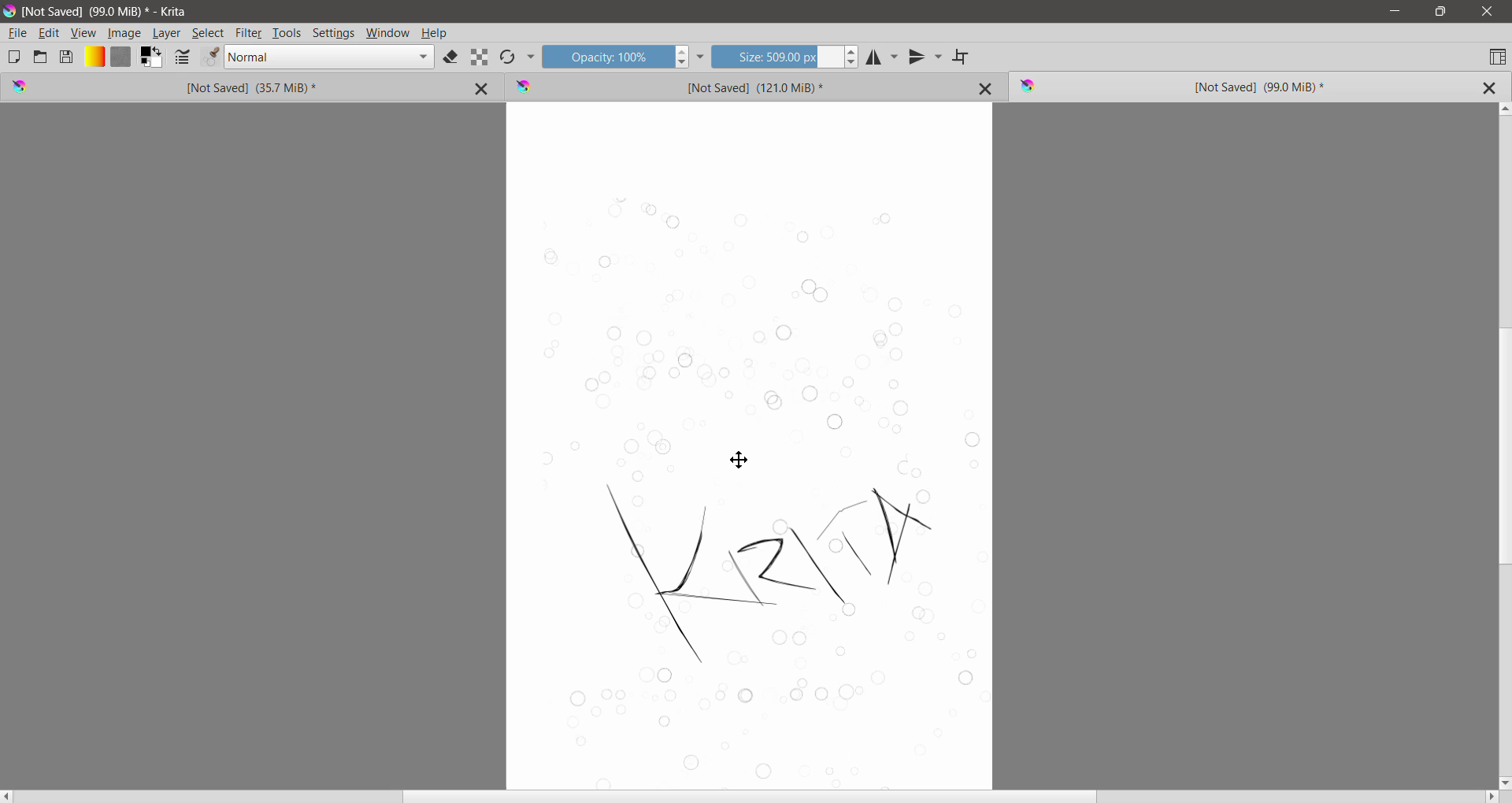 The height and width of the screenshot is (803, 1512). I want to click on Open an Existing Document, so click(40, 56).